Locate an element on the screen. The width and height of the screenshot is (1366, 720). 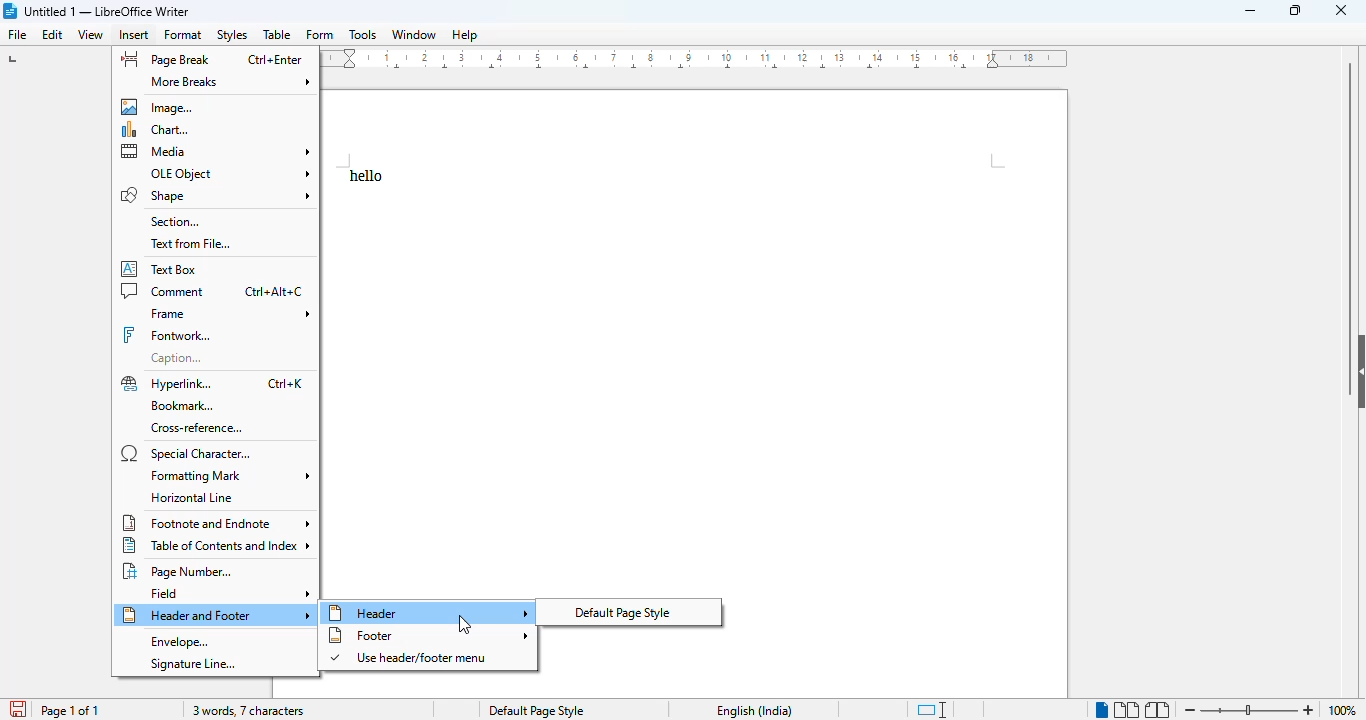
text box is located at coordinates (160, 269).